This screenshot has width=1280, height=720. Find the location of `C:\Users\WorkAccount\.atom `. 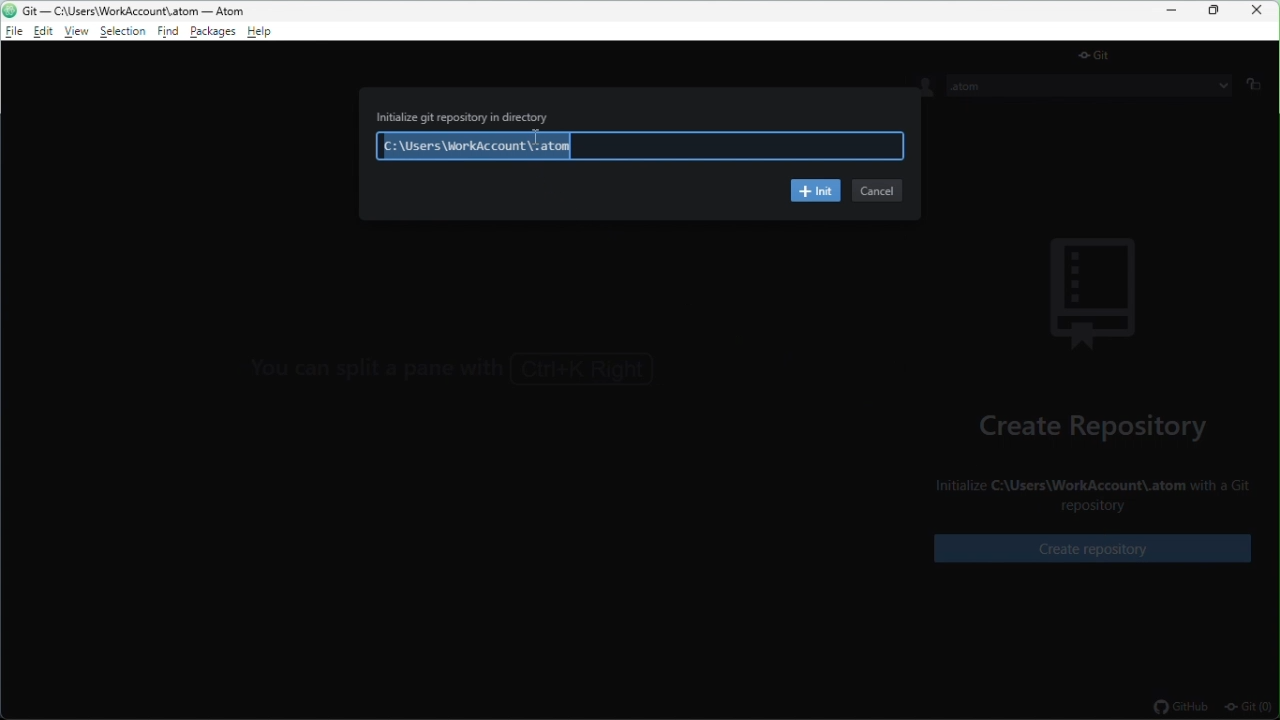

C:\Users\WorkAccount\.atom  is located at coordinates (642, 147).